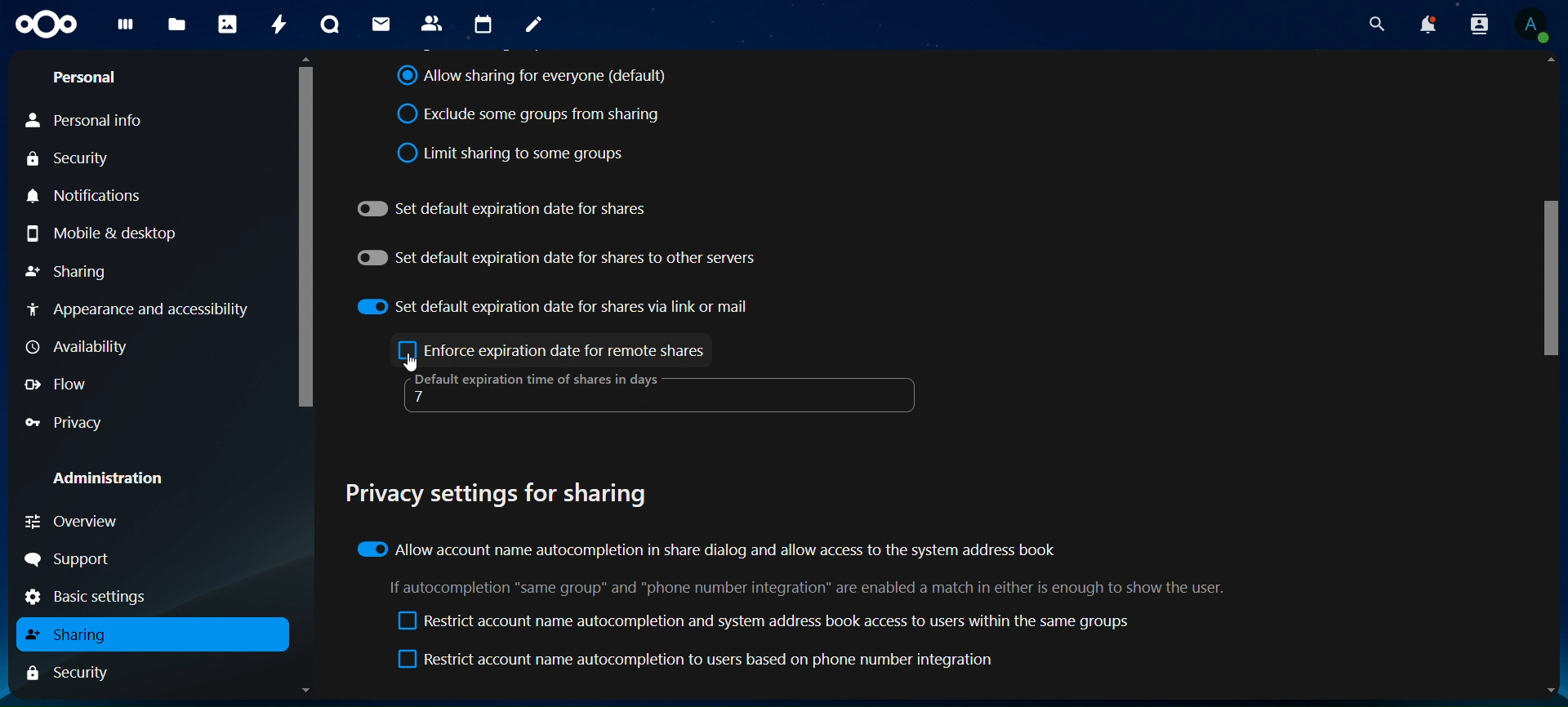 The image size is (1568, 707). What do you see at coordinates (101, 596) in the screenshot?
I see `basic settings` at bounding box center [101, 596].